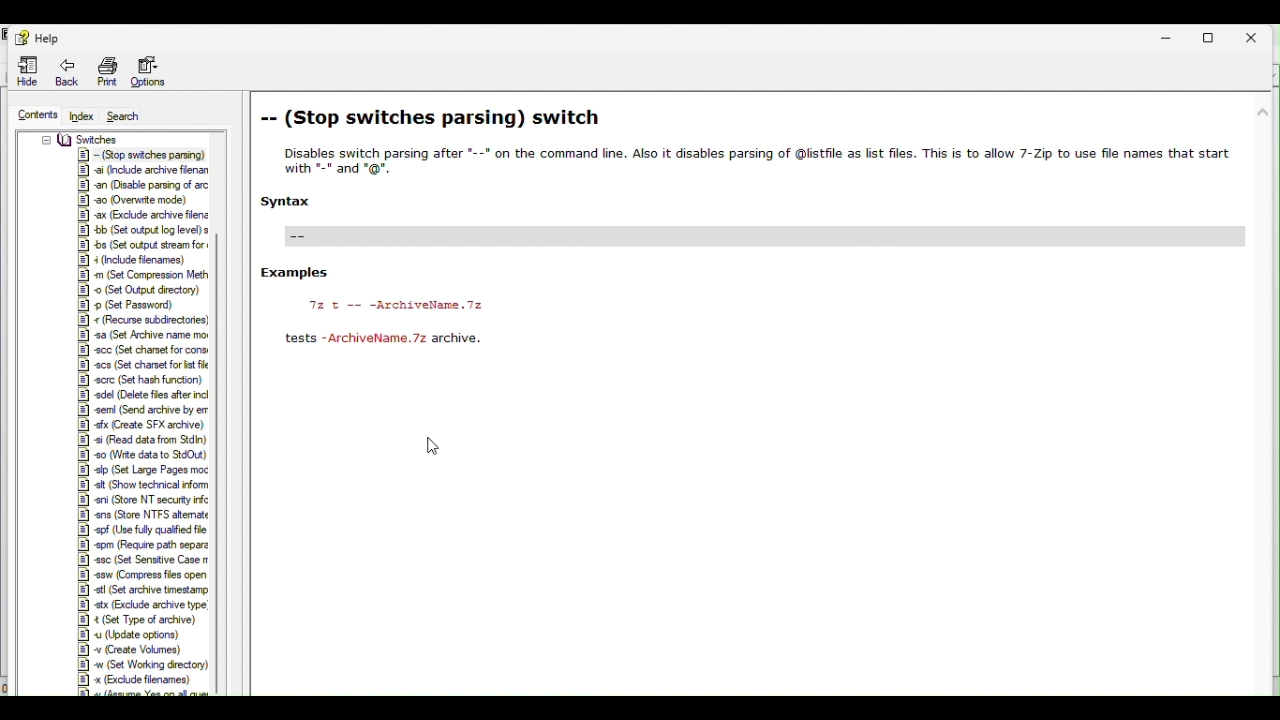 This screenshot has height=720, width=1280. What do you see at coordinates (147, 529) in the screenshot?
I see `` at bounding box center [147, 529].